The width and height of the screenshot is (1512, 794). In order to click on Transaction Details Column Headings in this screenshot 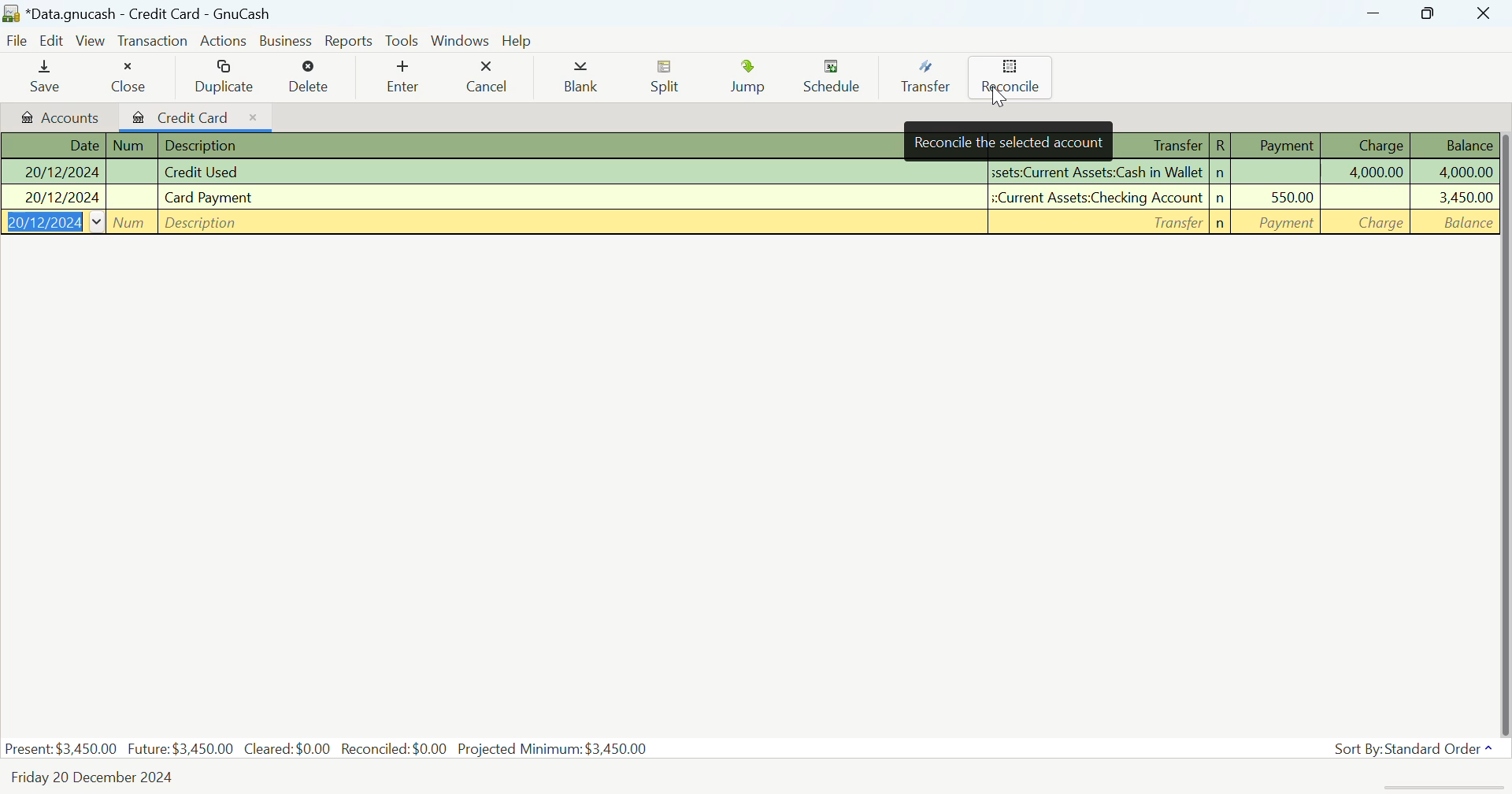, I will do `click(450, 143)`.